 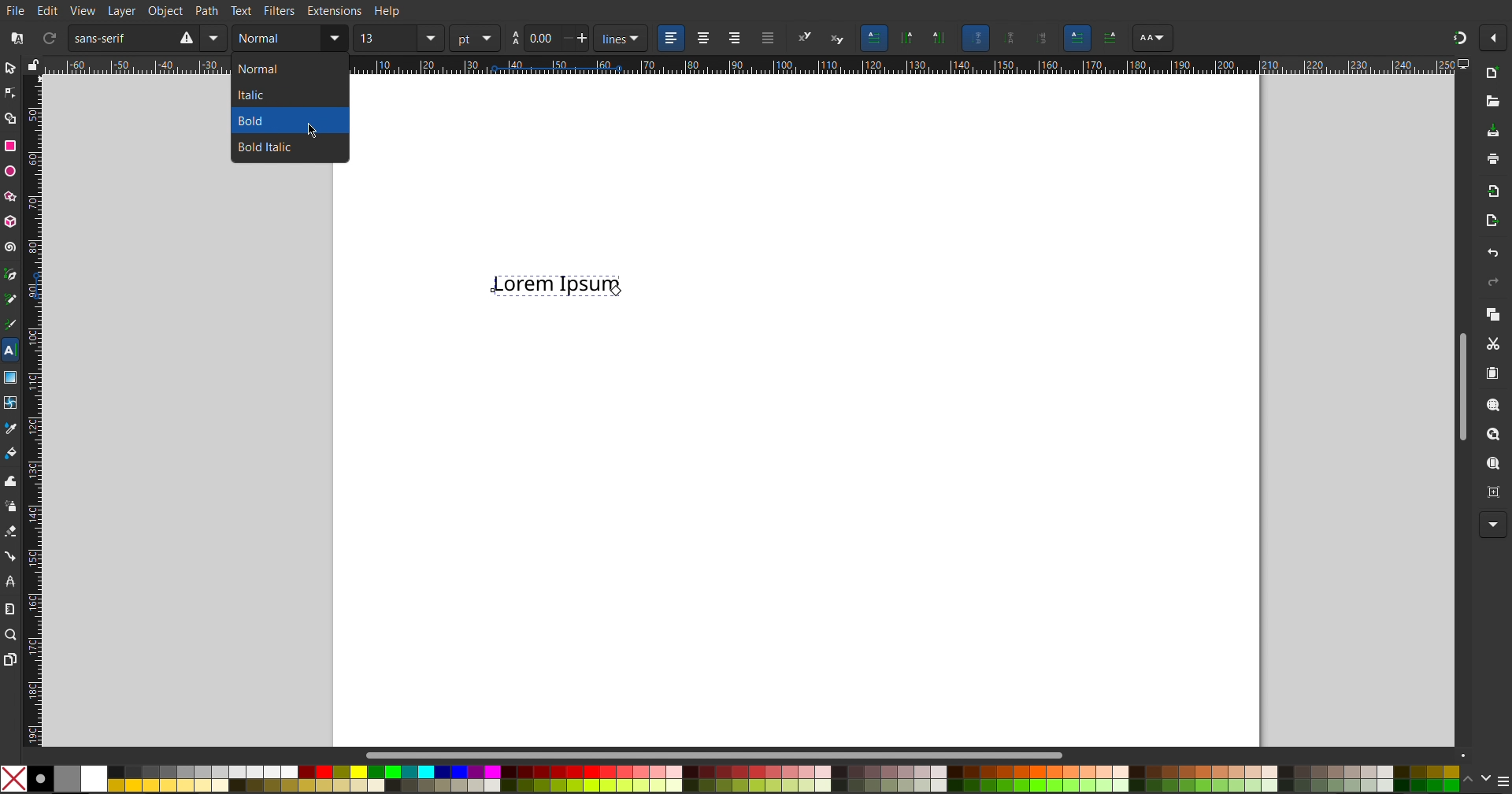 What do you see at coordinates (1459, 35) in the screenshot?
I see `Snapping` at bounding box center [1459, 35].